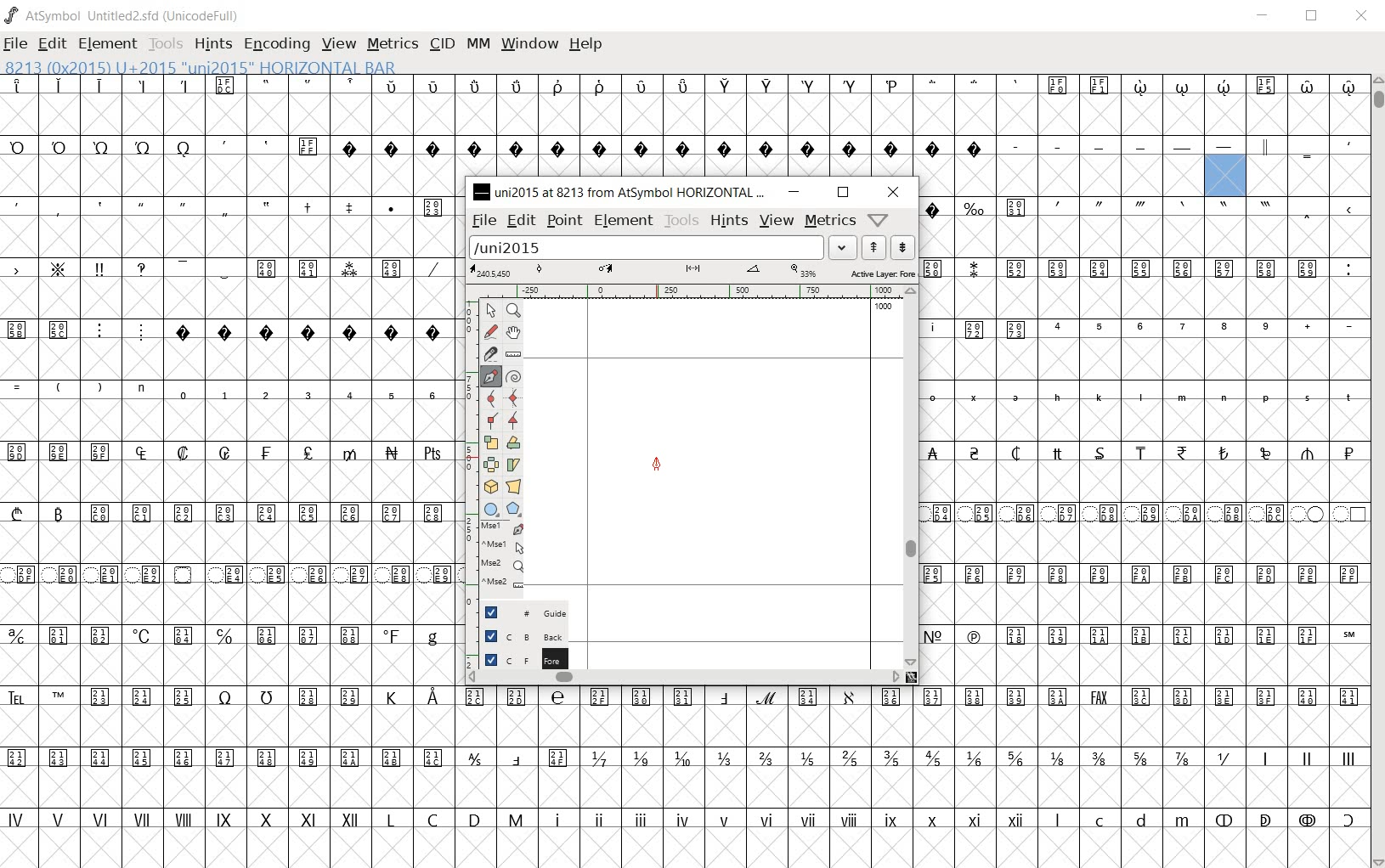 This screenshot has height=868, width=1385. I want to click on flip the selection, so click(490, 464).